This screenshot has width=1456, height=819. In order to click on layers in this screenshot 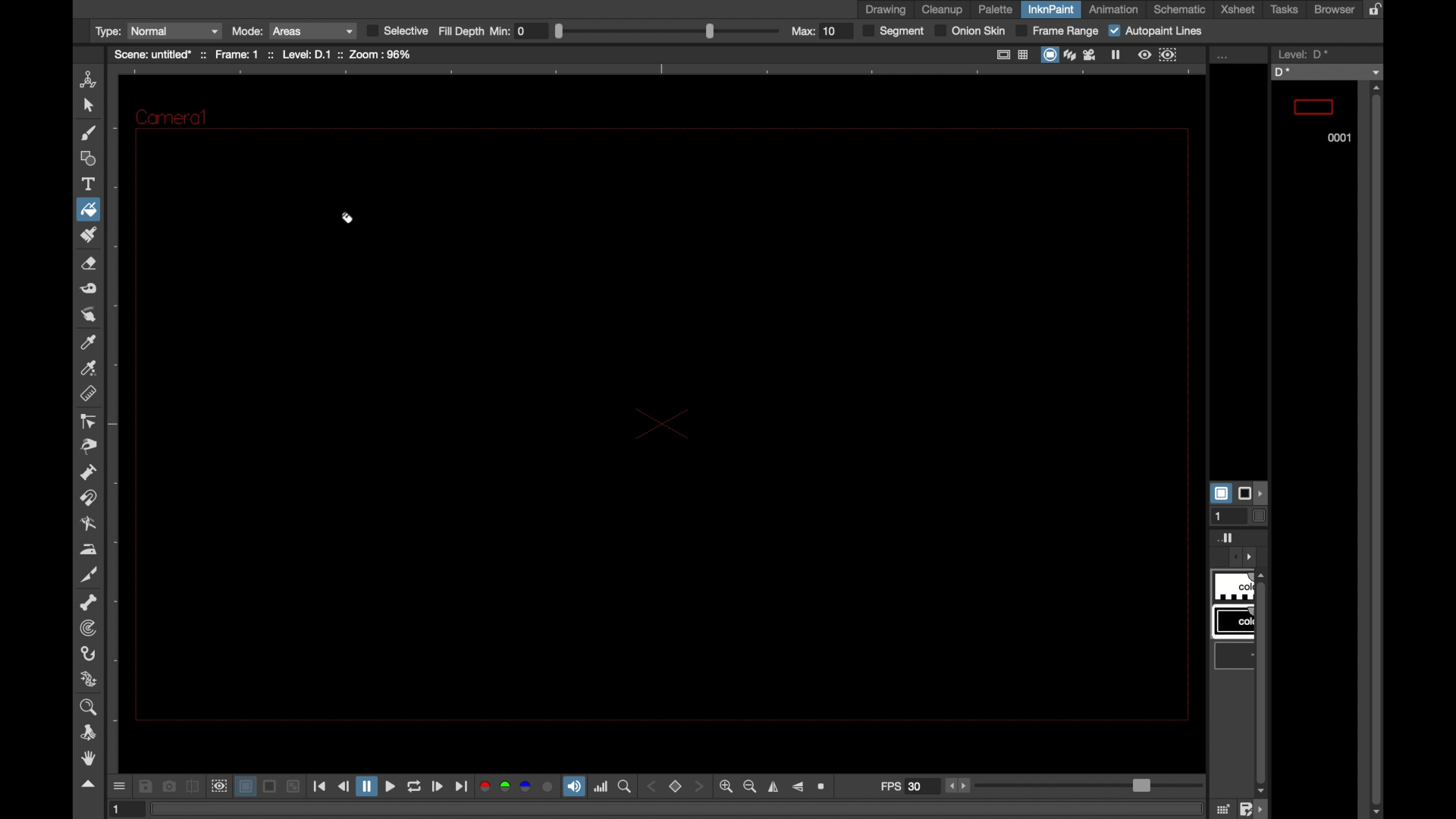, I will do `click(1072, 55)`.